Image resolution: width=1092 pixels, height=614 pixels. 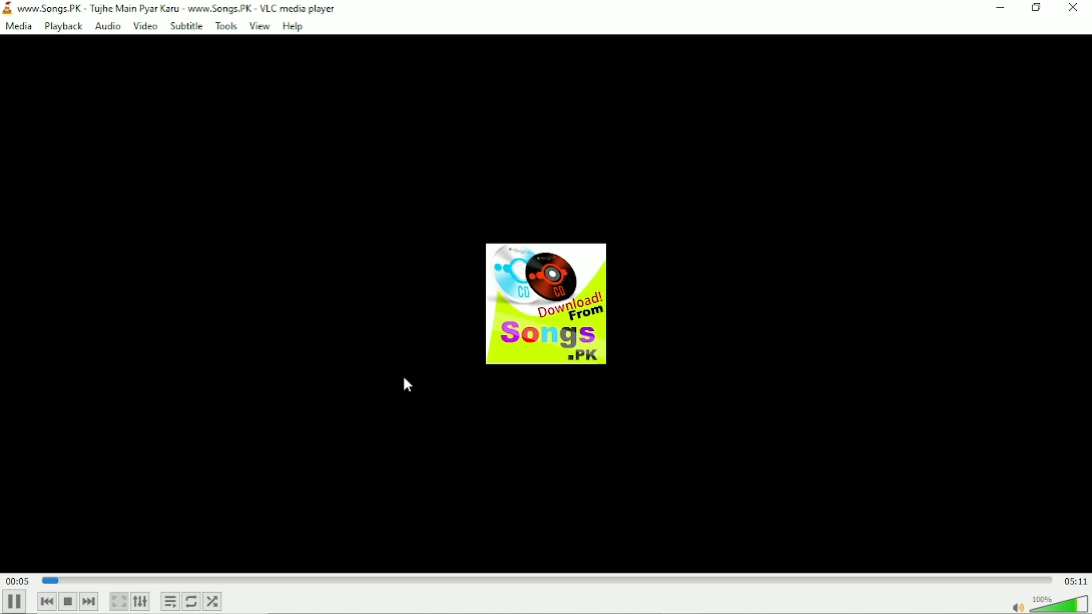 What do you see at coordinates (141, 602) in the screenshot?
I see `Show extended settings` at bounding box center [141, 602].